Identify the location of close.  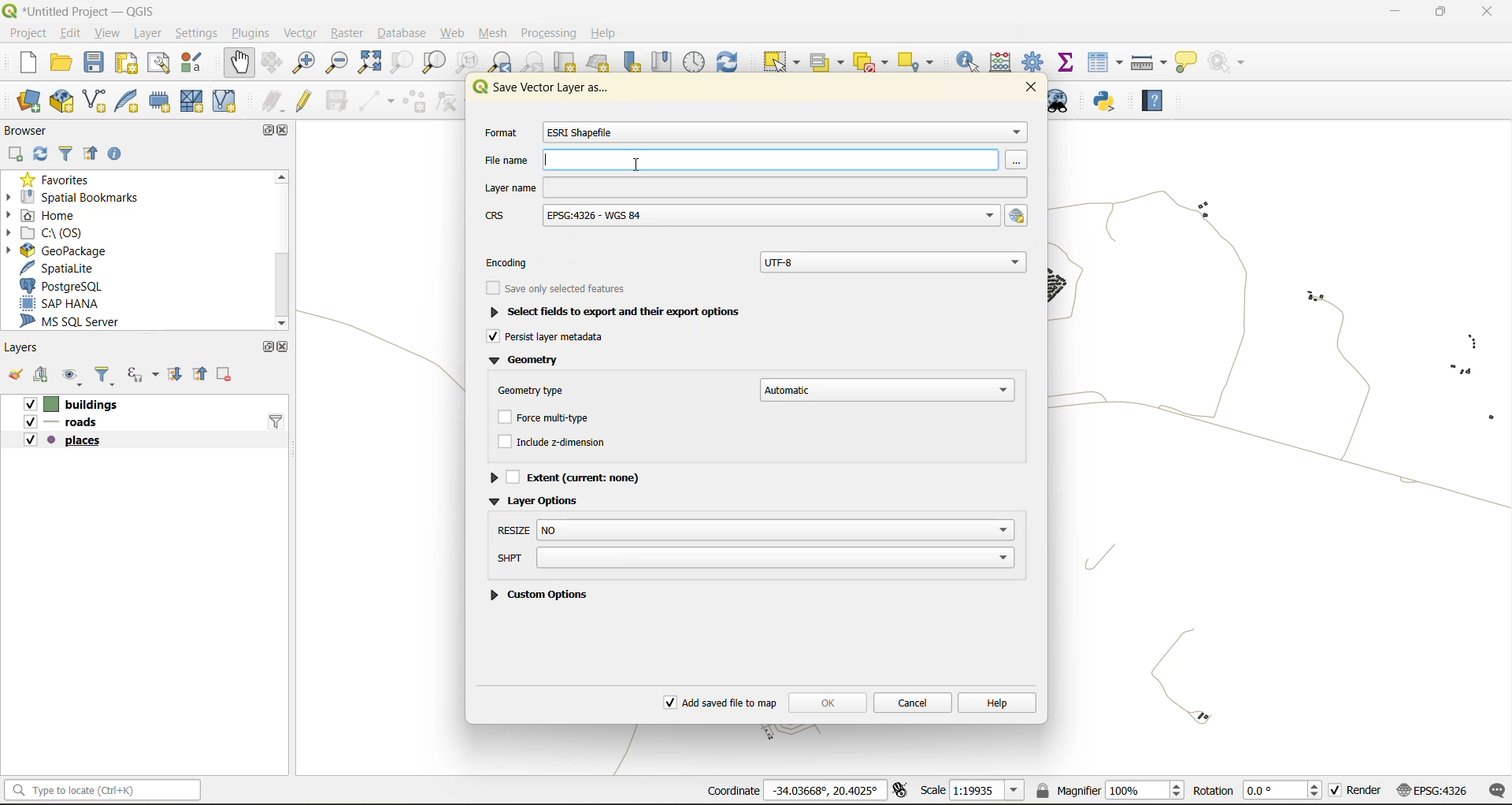
(1038, 88).